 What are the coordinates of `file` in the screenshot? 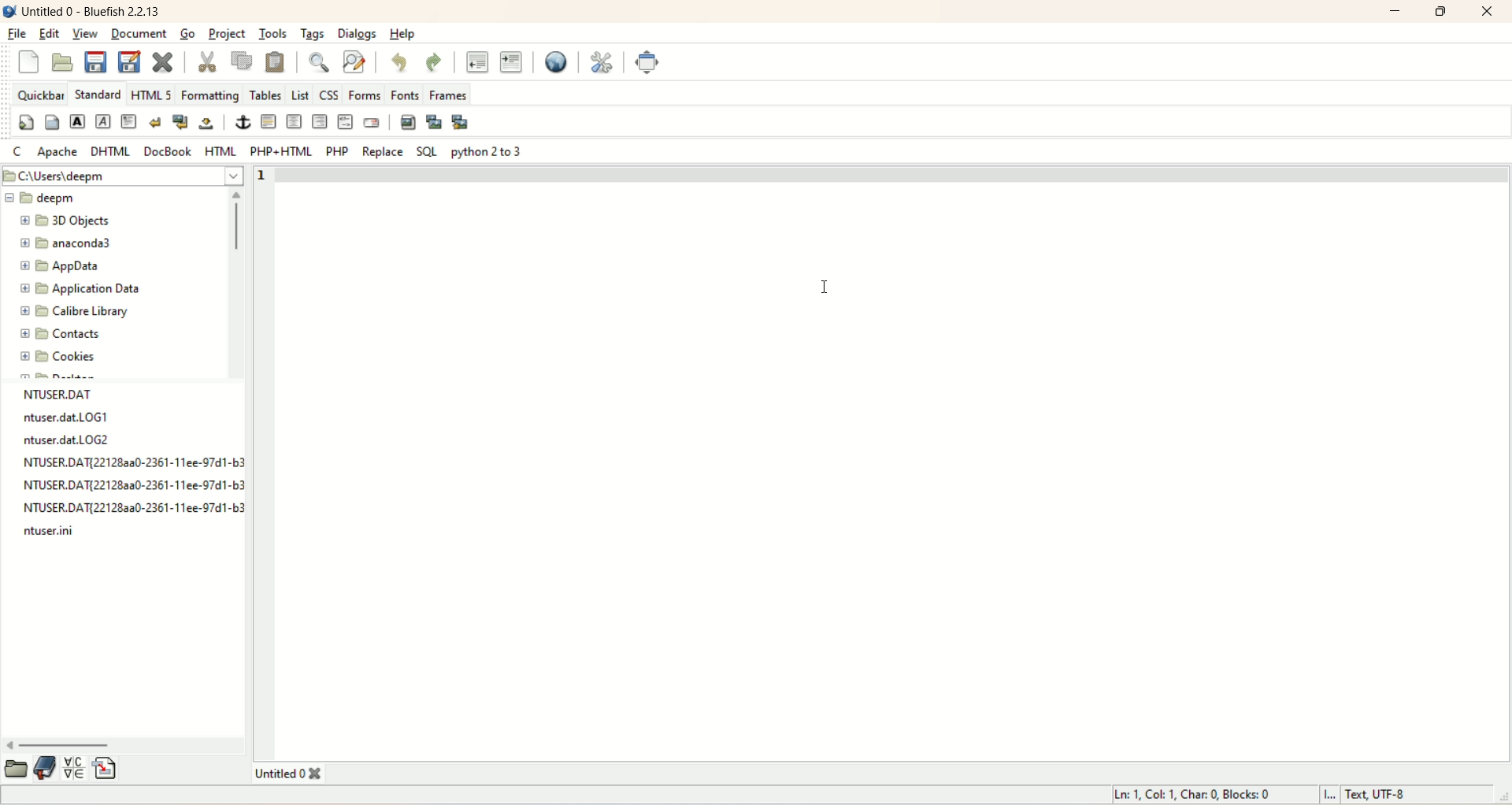 It's located at (128, 511).